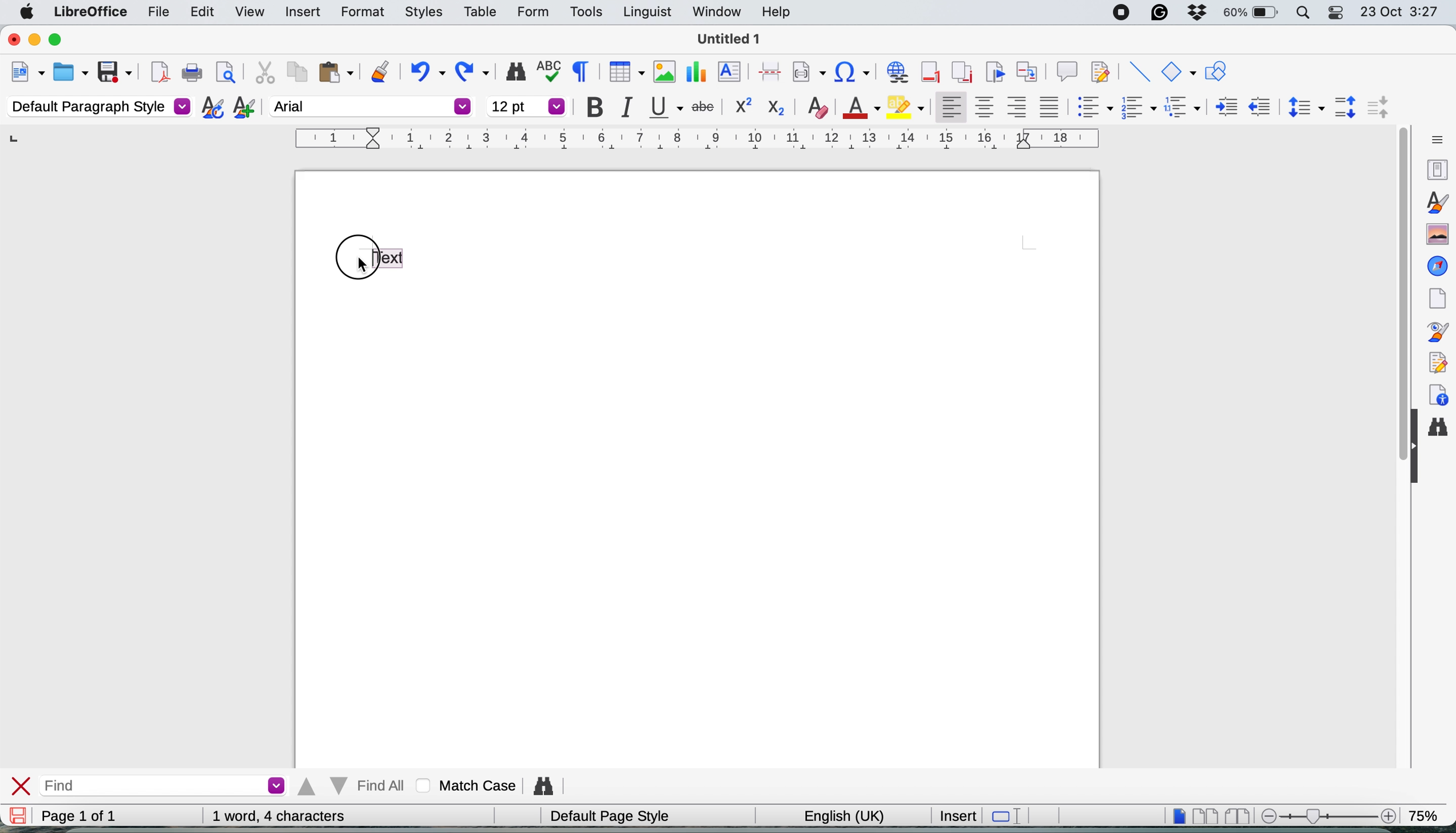  What do you see at coordinates (531, 12) in the screenshot?
I see `form` at bounding box center [531, 12].